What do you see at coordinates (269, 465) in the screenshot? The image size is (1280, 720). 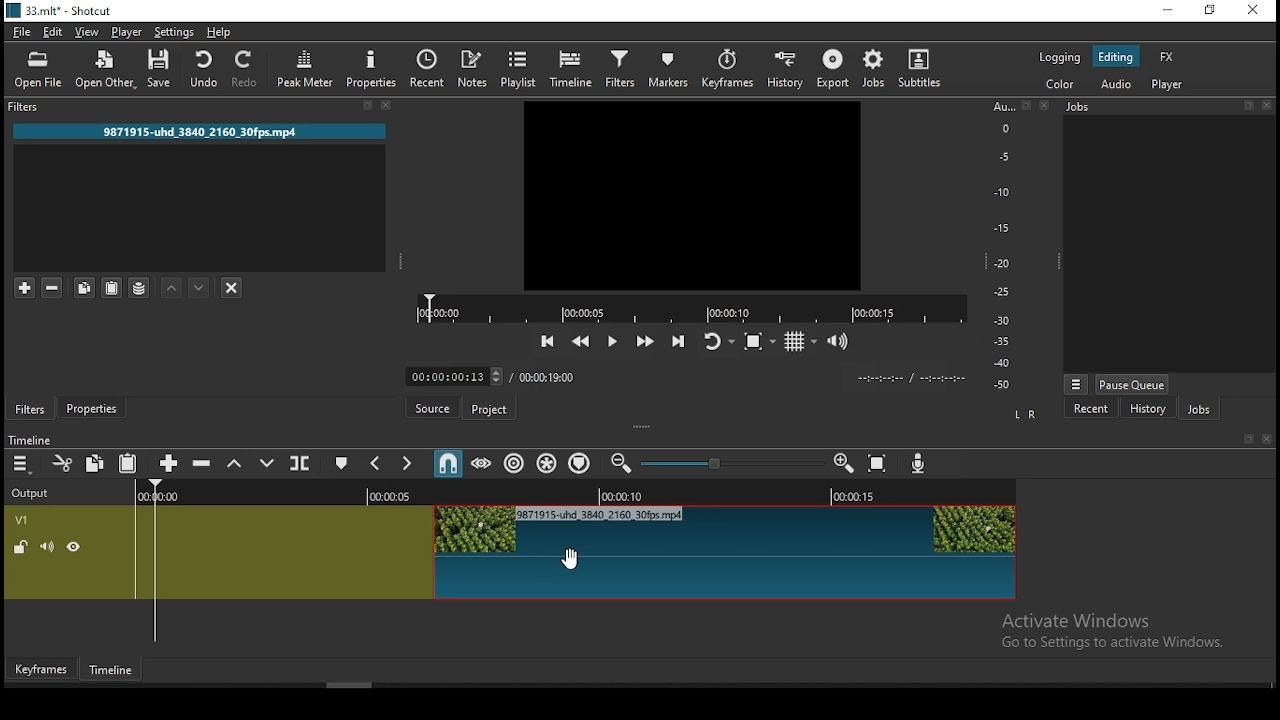 I see `overwrite` at bounding box center [269, 465].